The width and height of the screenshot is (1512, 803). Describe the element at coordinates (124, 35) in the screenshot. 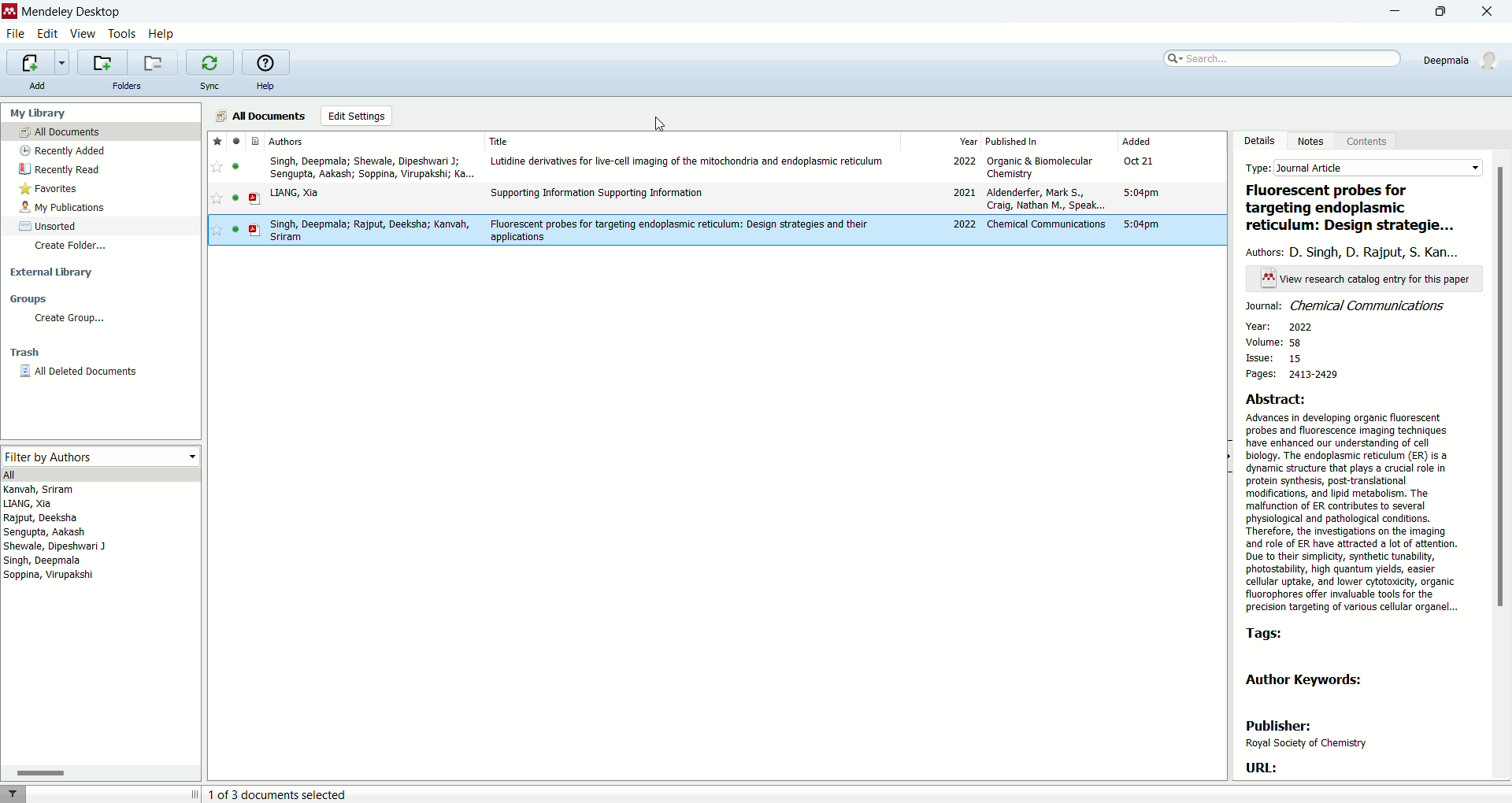

I see `tools` at that location.